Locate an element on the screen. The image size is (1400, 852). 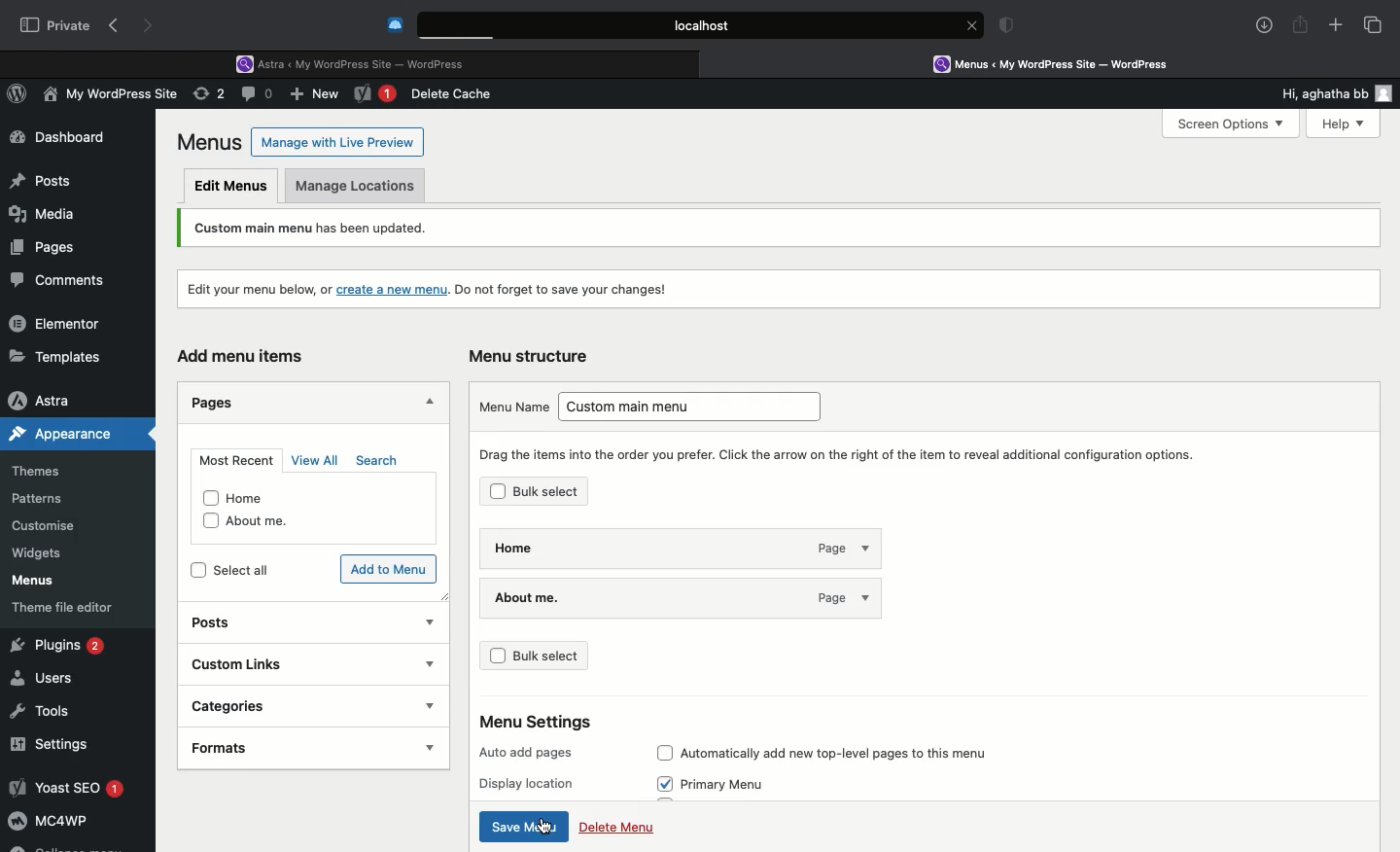
Formats is located at coordinates (260, 749).